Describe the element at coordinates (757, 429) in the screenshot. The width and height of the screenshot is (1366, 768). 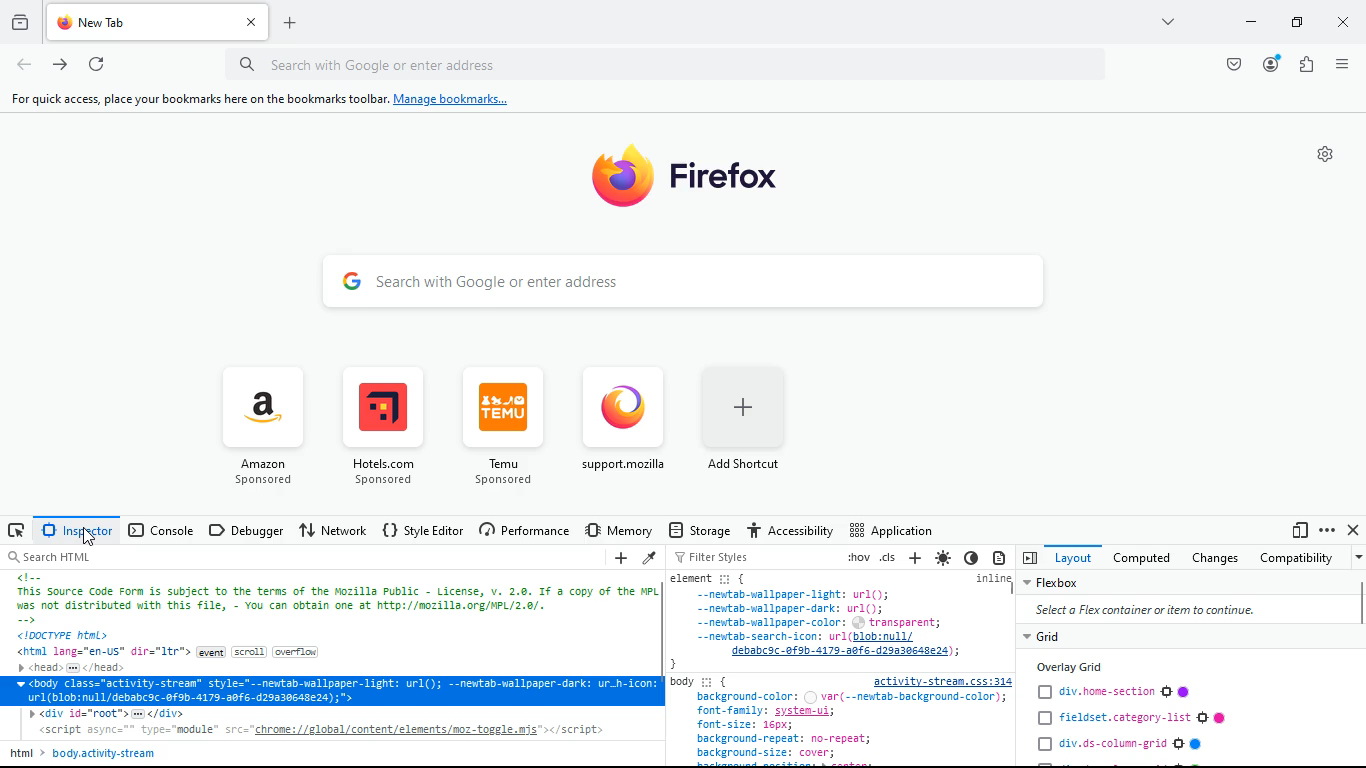
I see `add shortcut` at that location.